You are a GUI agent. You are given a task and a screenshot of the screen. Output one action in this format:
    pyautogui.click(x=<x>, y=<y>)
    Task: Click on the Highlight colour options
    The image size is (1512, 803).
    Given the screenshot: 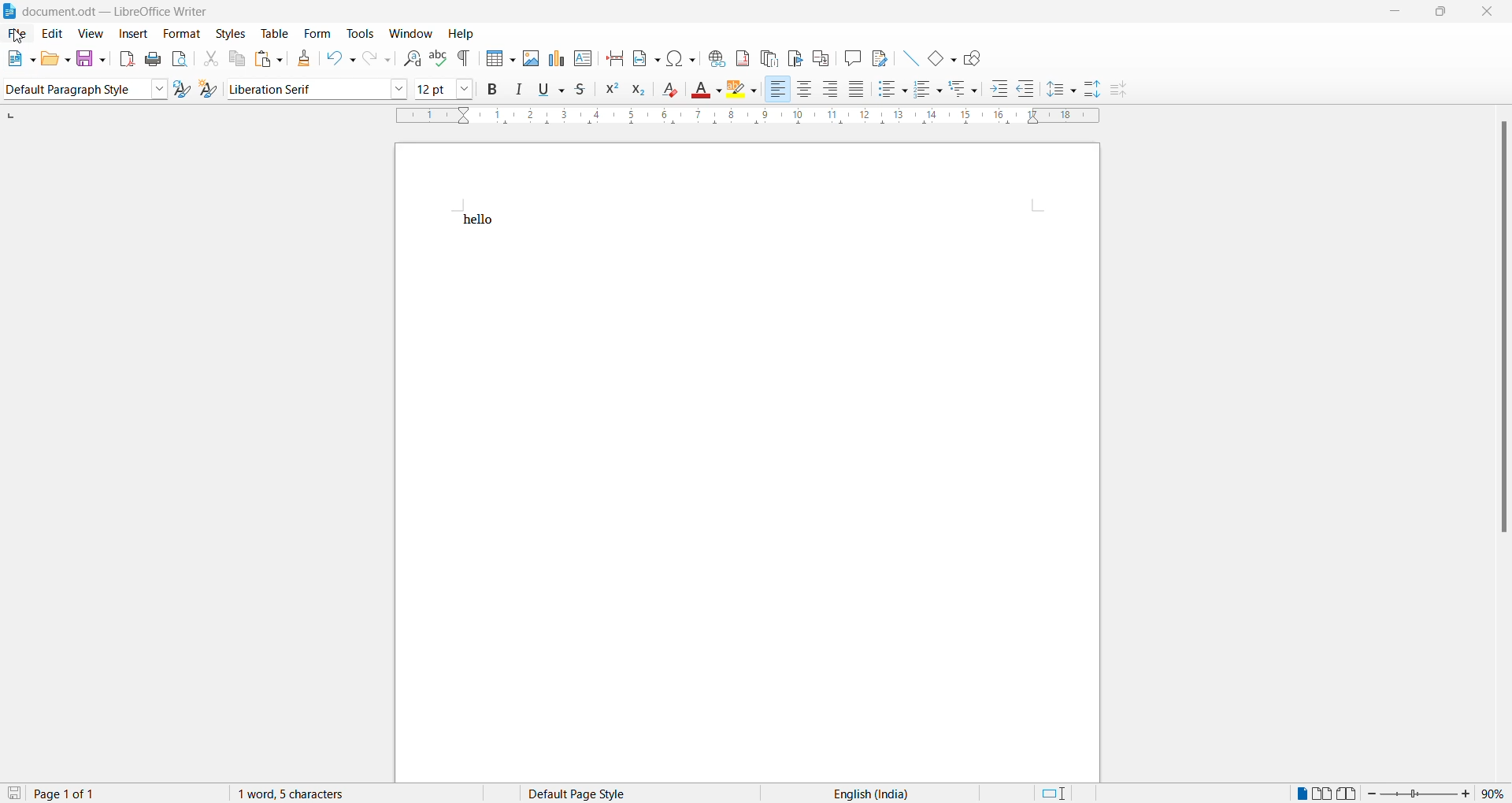 What is the action you would take?
    pyautogui.click(x=741, y=90)
    